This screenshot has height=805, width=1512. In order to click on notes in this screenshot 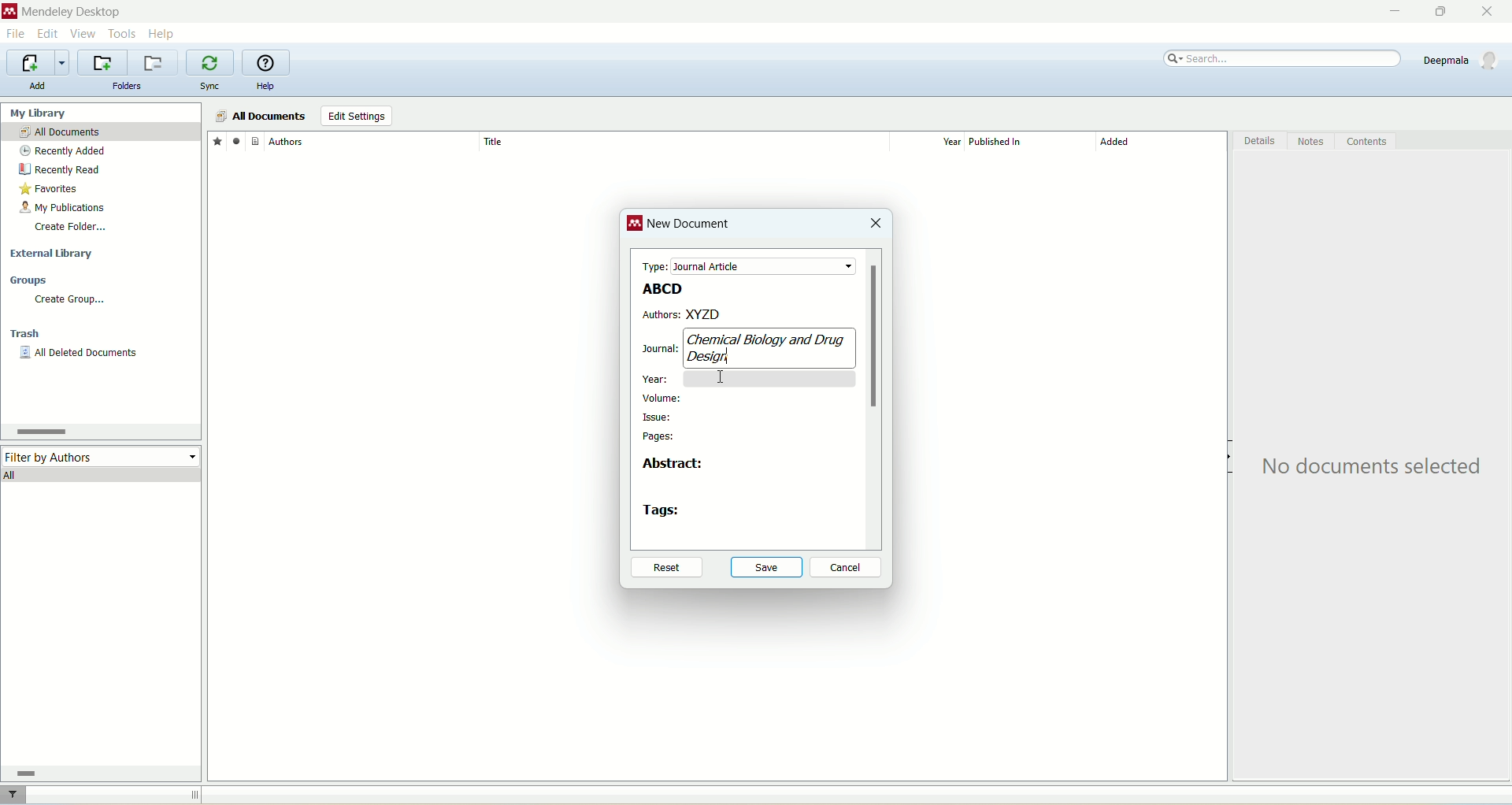, I will do `click(1313, 142)`.